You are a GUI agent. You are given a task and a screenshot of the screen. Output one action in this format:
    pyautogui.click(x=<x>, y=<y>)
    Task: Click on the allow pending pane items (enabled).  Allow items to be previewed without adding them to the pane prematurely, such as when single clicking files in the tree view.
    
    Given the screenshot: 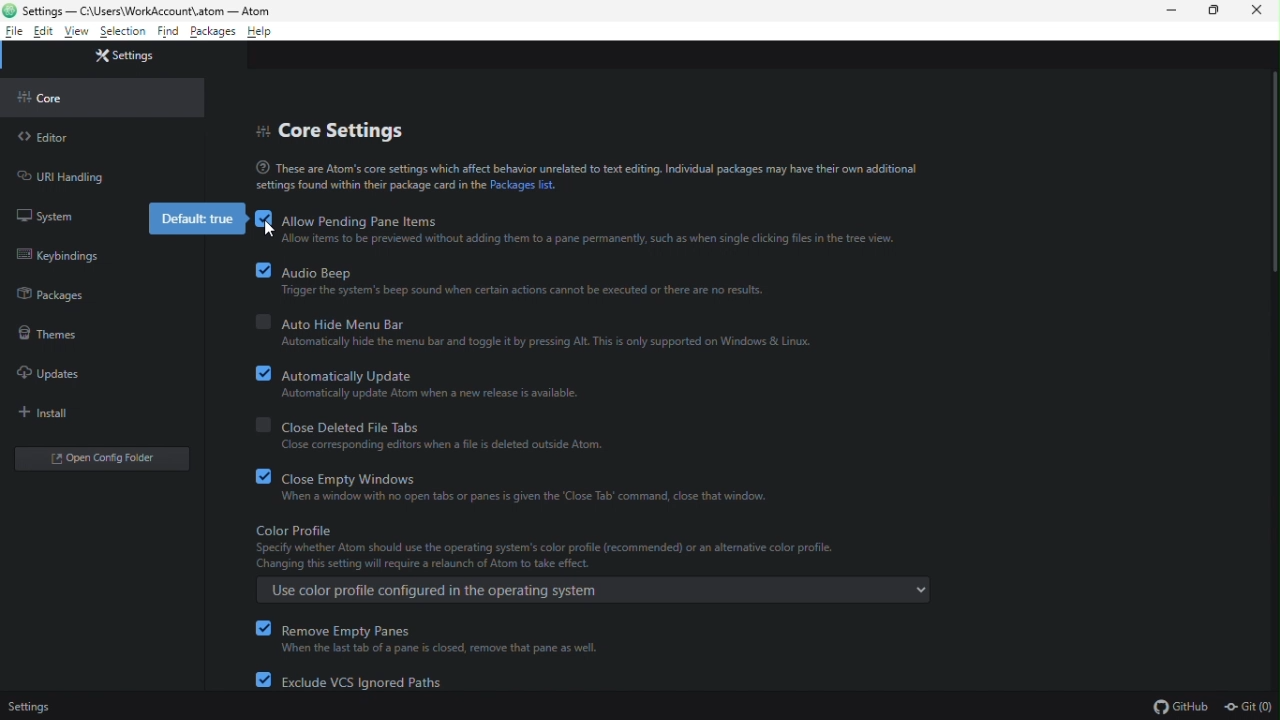 What is the action you would take?
    pyautogui.click(x=575, y=229)
    